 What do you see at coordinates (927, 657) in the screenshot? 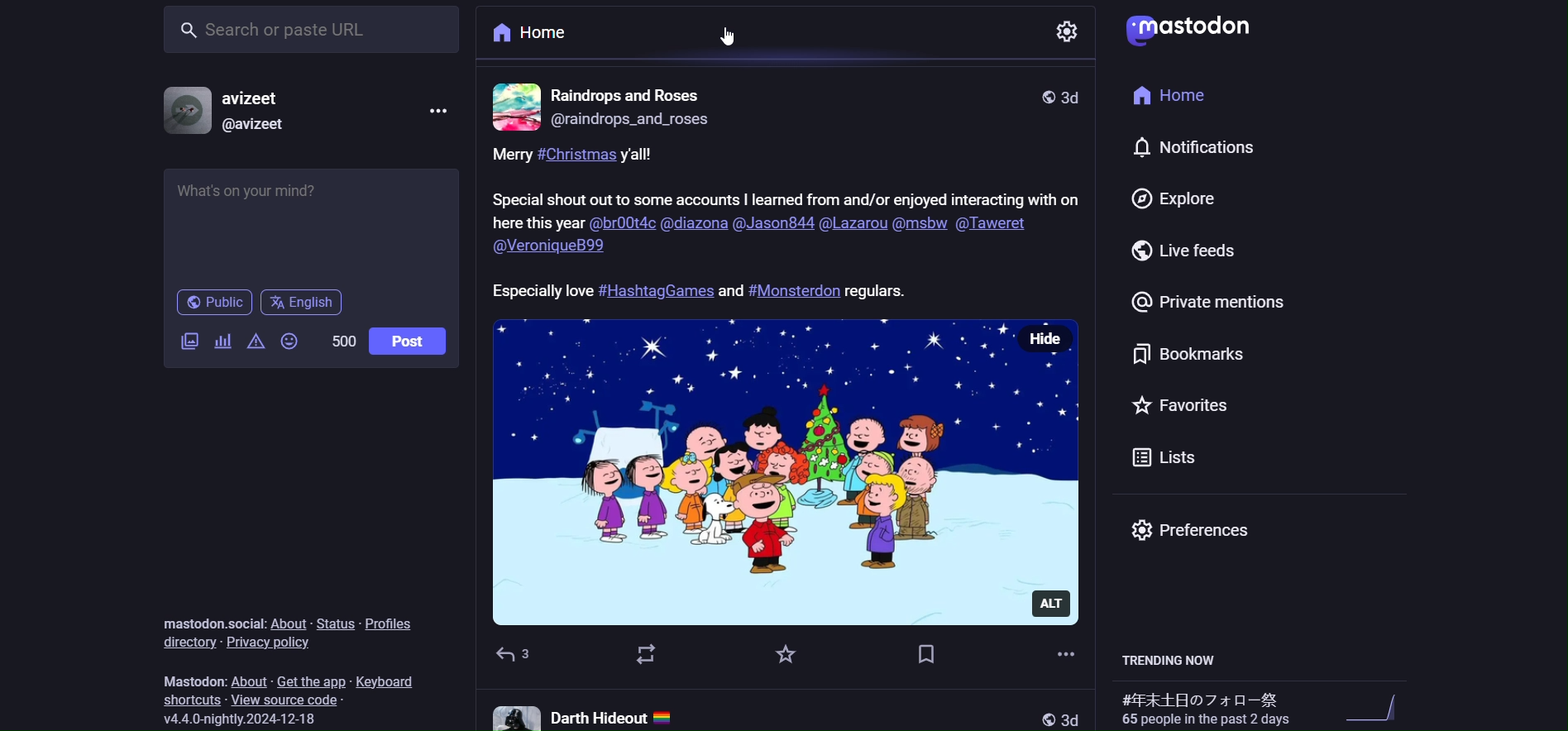
I see `bookmark` at bounding box center [927, 657].